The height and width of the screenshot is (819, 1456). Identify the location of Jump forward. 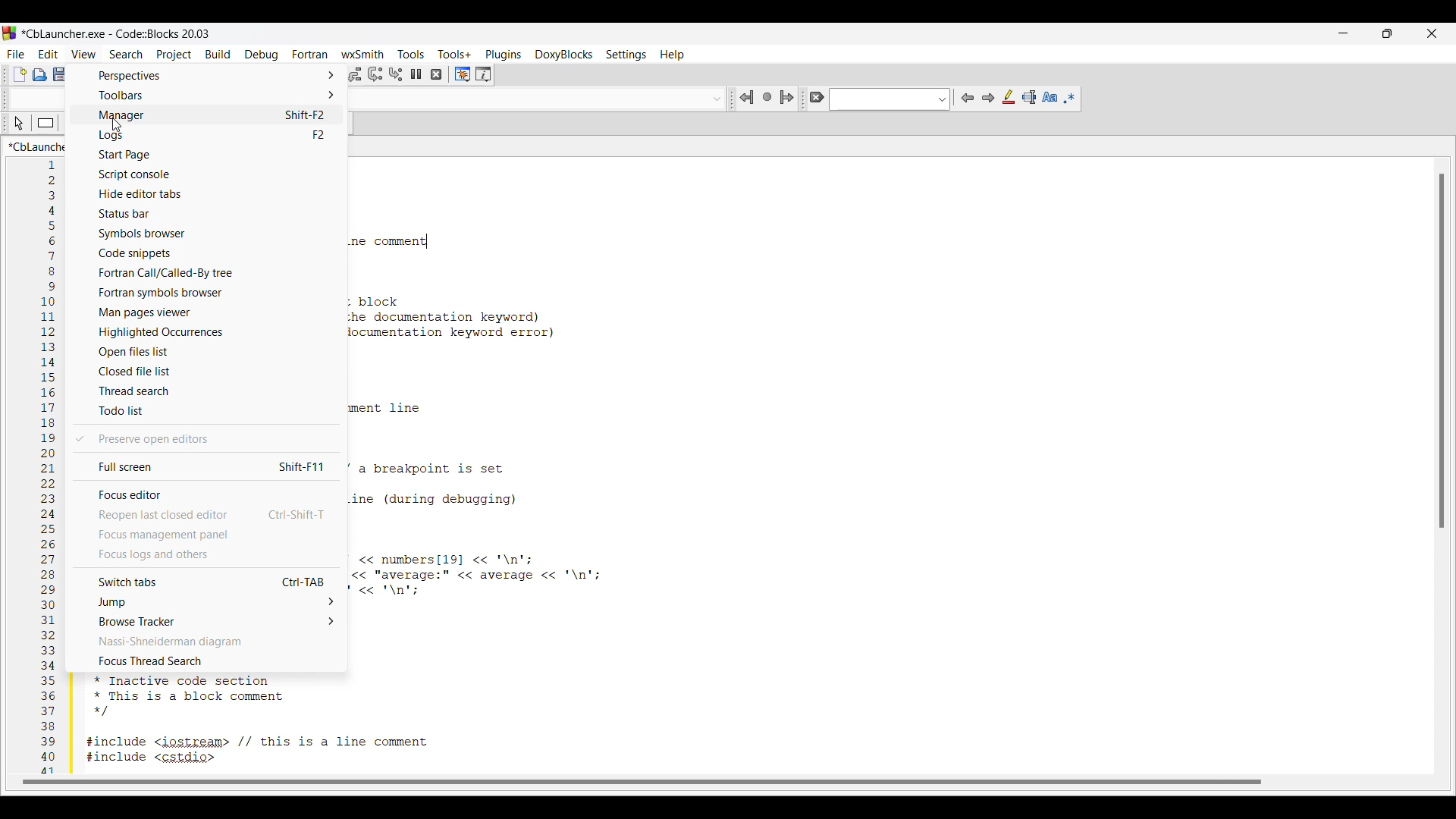
(787, 97).